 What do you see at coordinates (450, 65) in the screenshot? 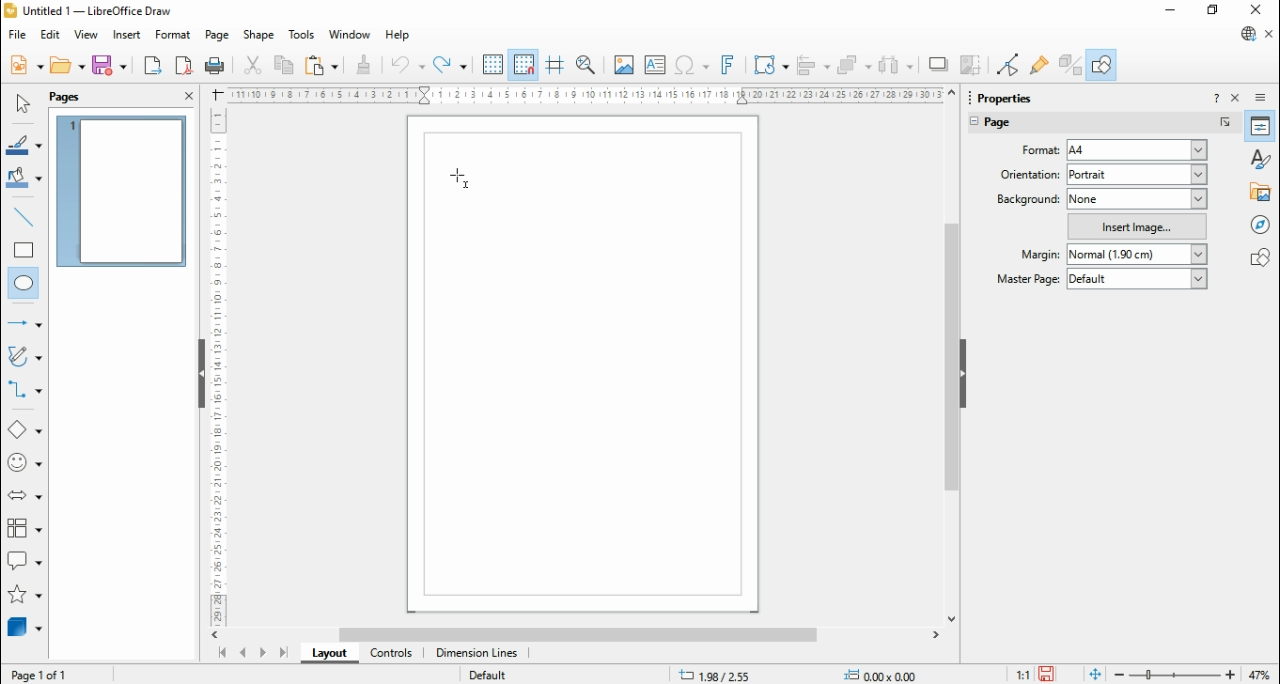
I see `redo` at bounding box center [450, 65].